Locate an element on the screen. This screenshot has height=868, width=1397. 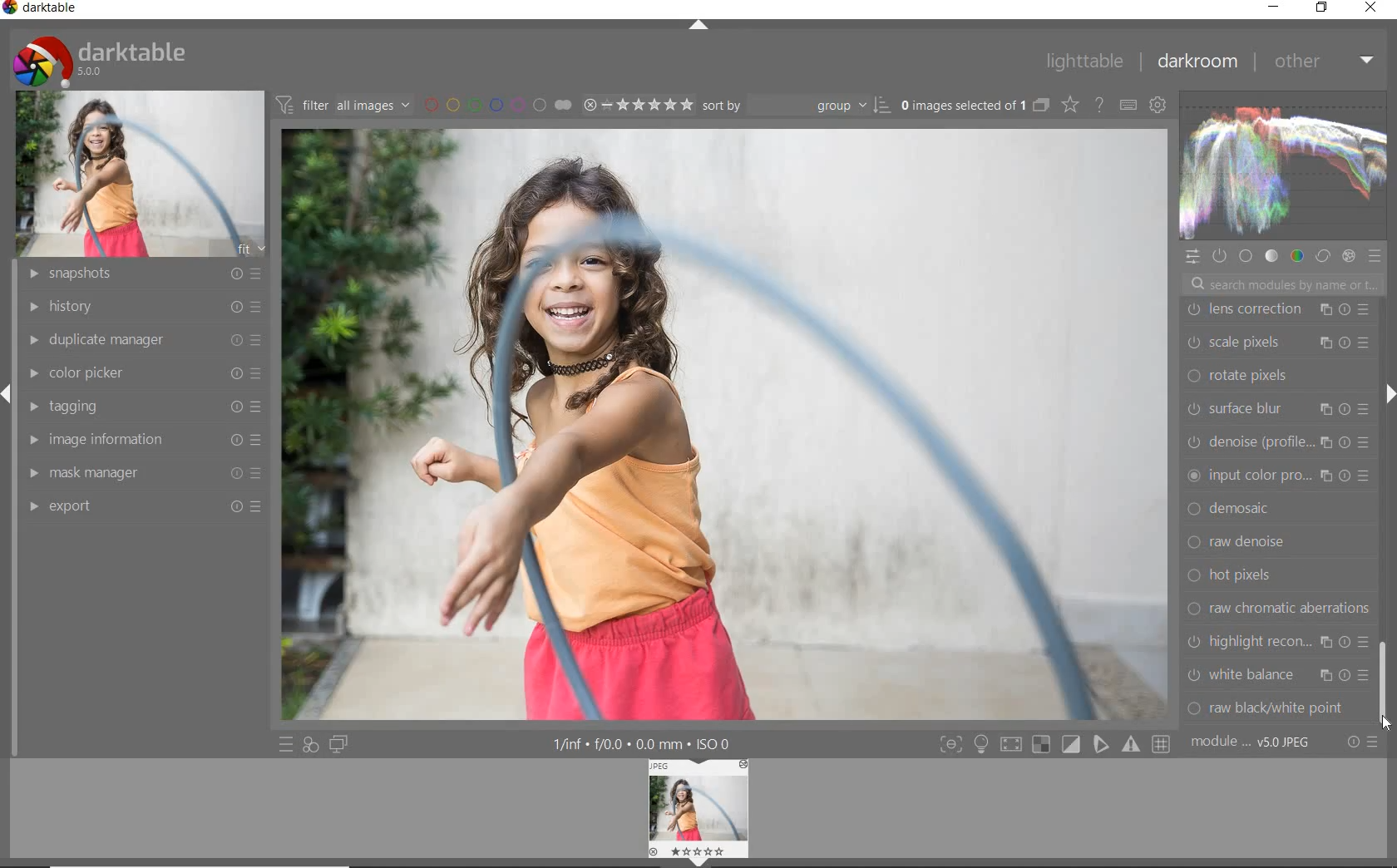
lowlight vision is located at coordinates (1278, 645).